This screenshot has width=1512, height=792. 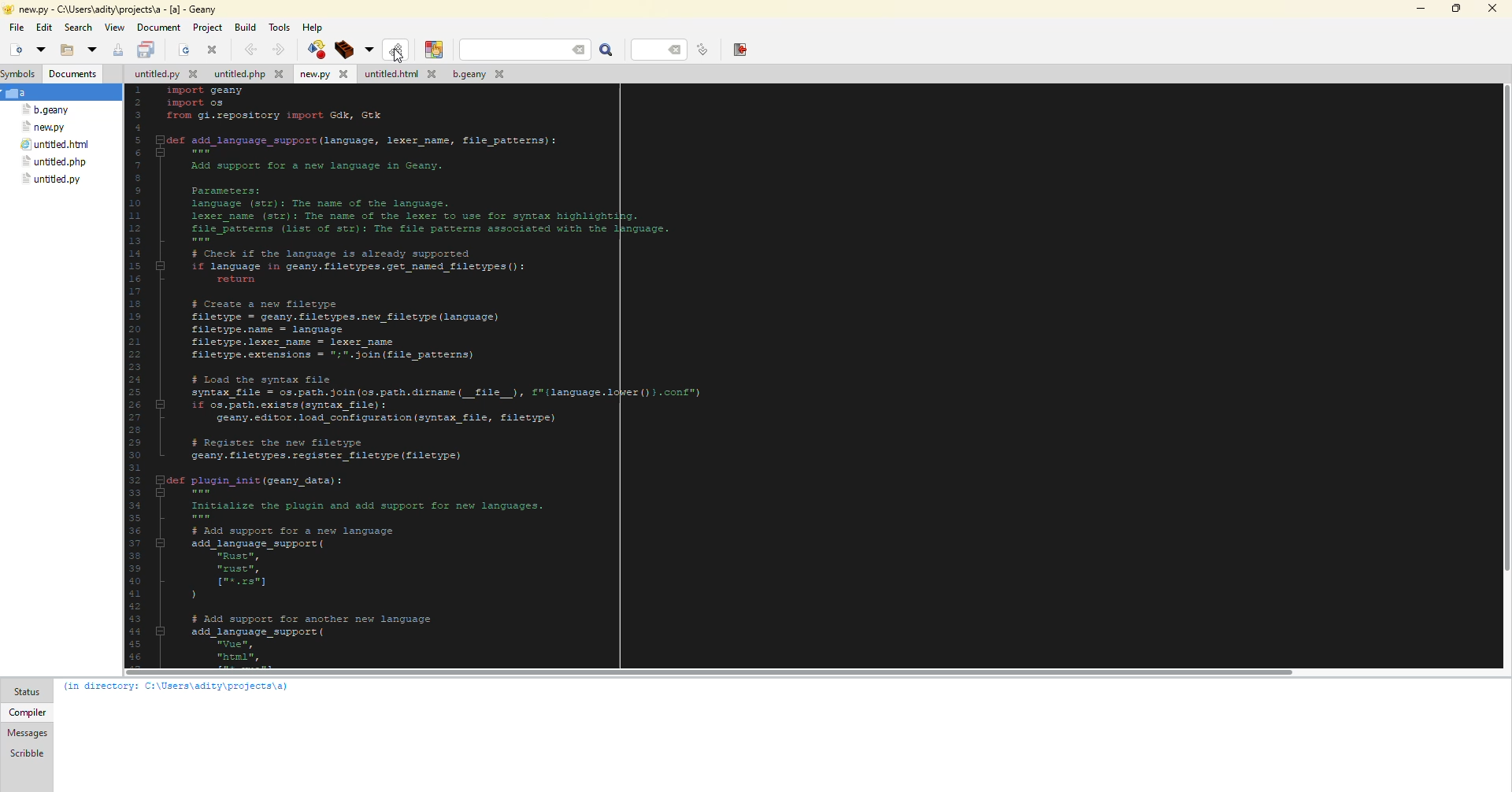 What do you see at coordinates (25, 753) in the screenshot?
I see `scribble` at bounding box center [25, 753].